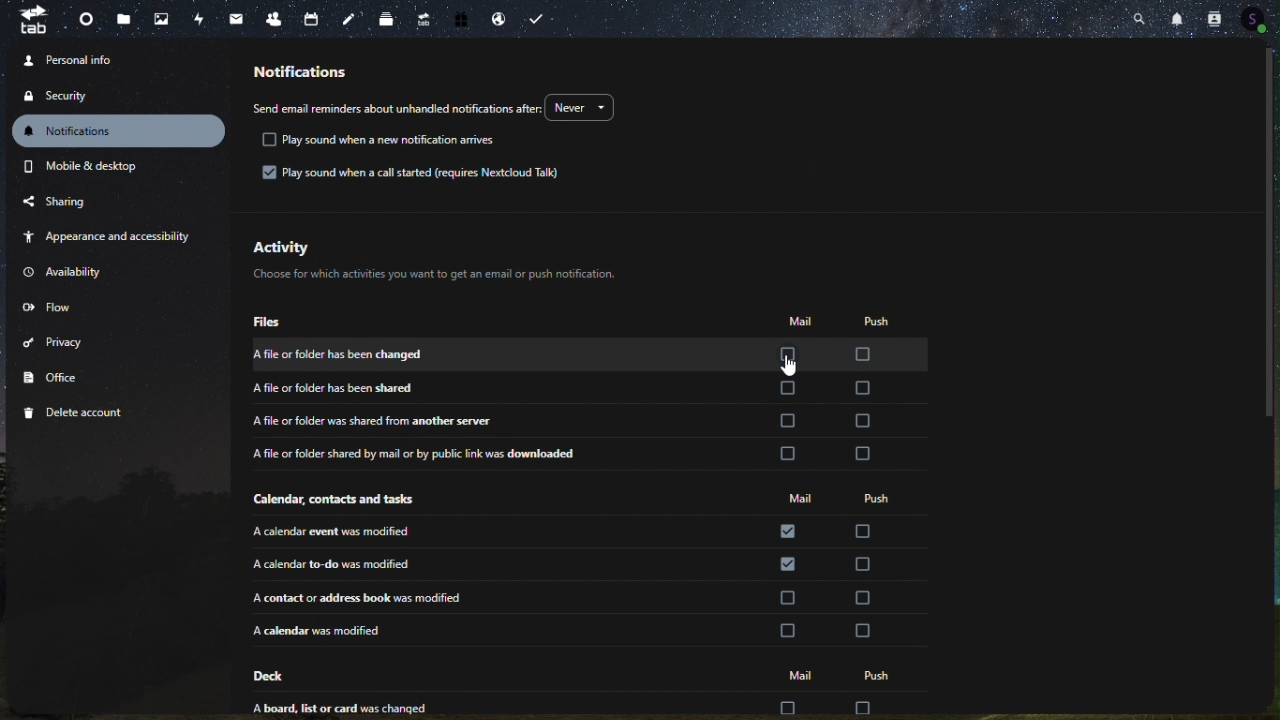  I want to click on a calendar event was modified, so click(342, 531).